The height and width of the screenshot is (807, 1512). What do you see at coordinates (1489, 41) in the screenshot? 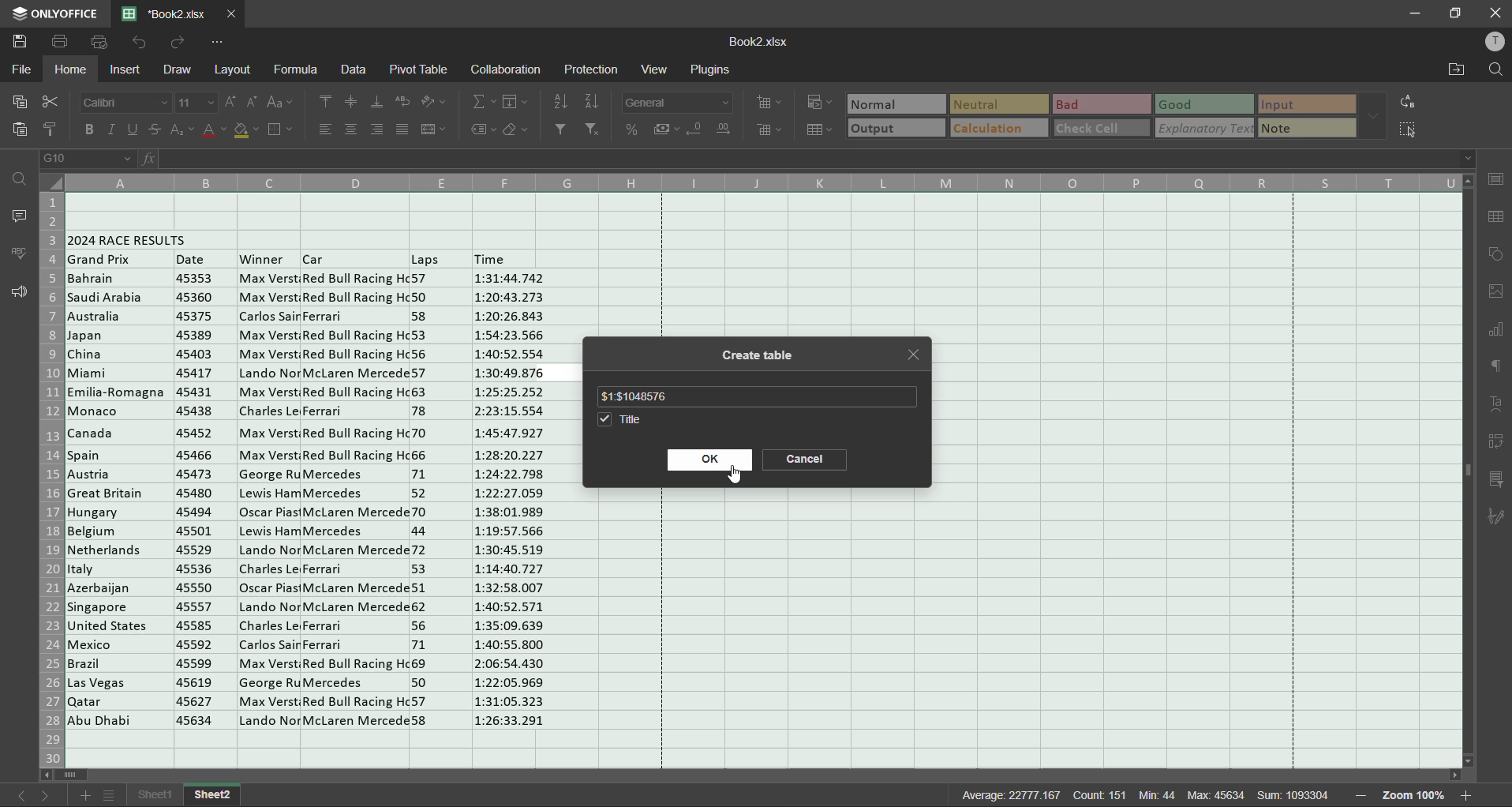
I see `profile` at bounding box center [1489, 41].